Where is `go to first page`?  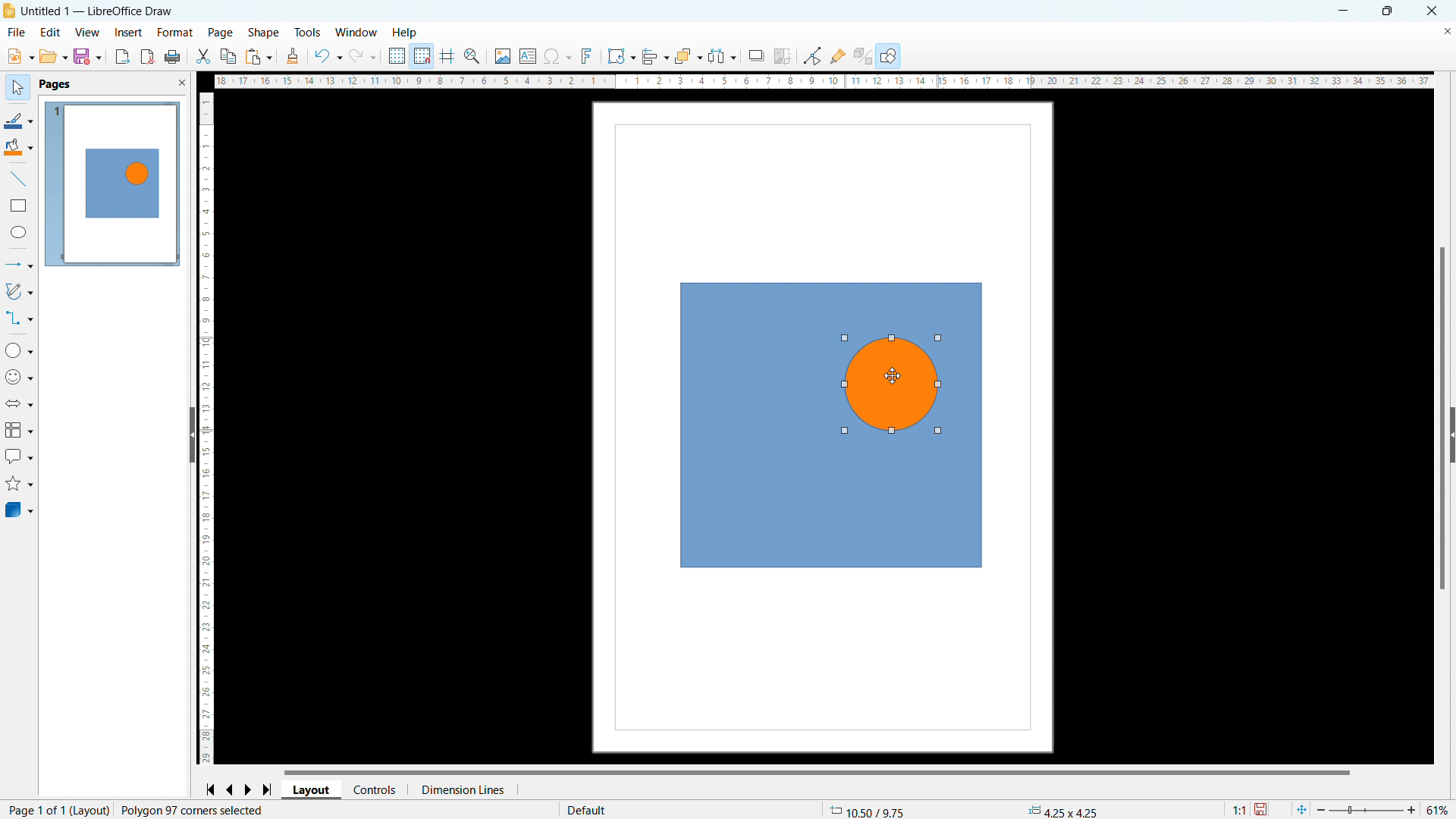 go to first page is located at coordinates (210, 789).